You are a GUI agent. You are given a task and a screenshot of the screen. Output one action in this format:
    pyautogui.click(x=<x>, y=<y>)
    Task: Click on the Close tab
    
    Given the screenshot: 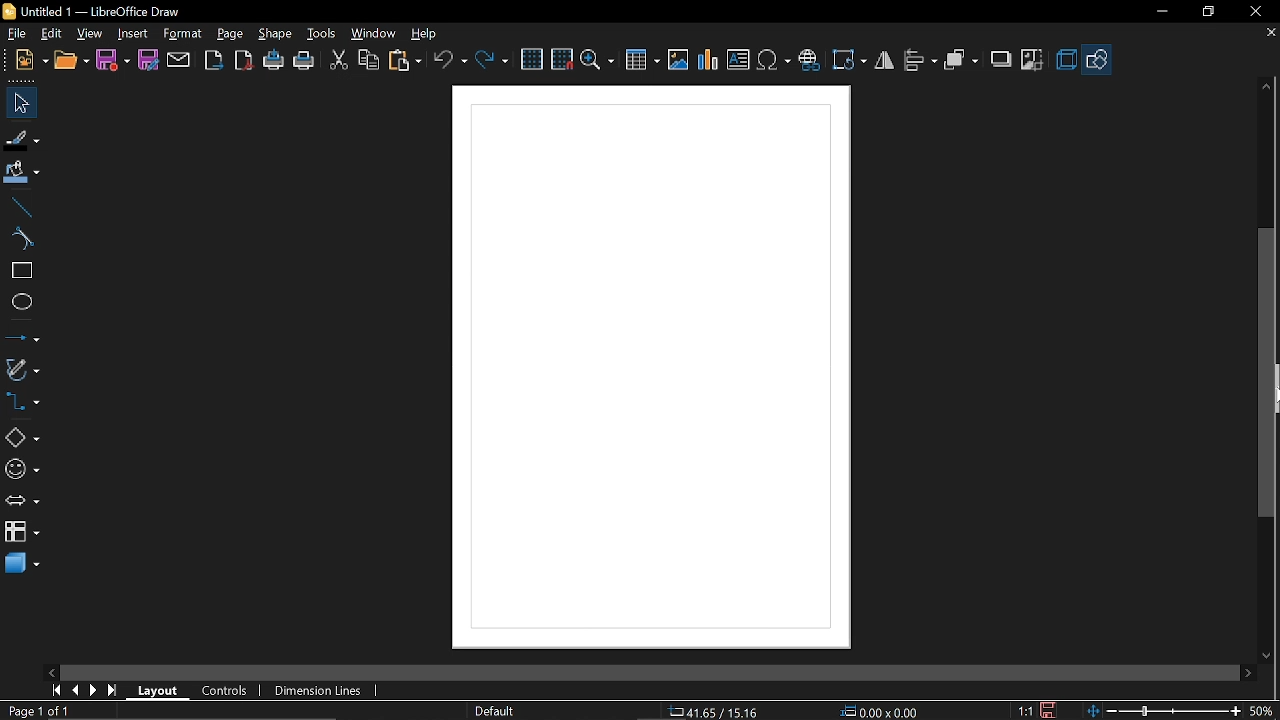 What is the action you would take?
    pyautogui.click(x=1269, y=31)
    